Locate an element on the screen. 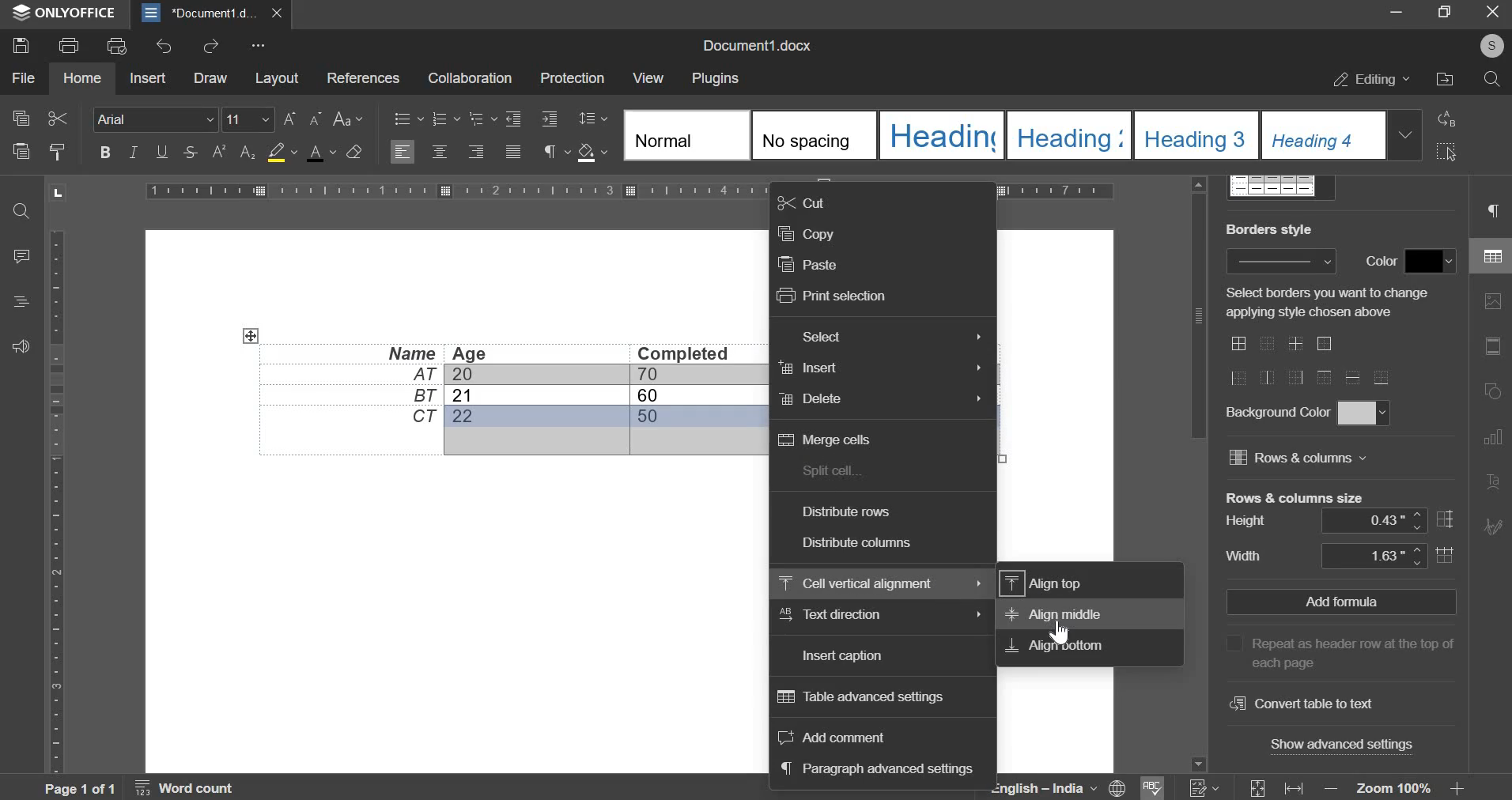 This screenshot has width=1512, height=800. align right is located at coordinates (476, 152).